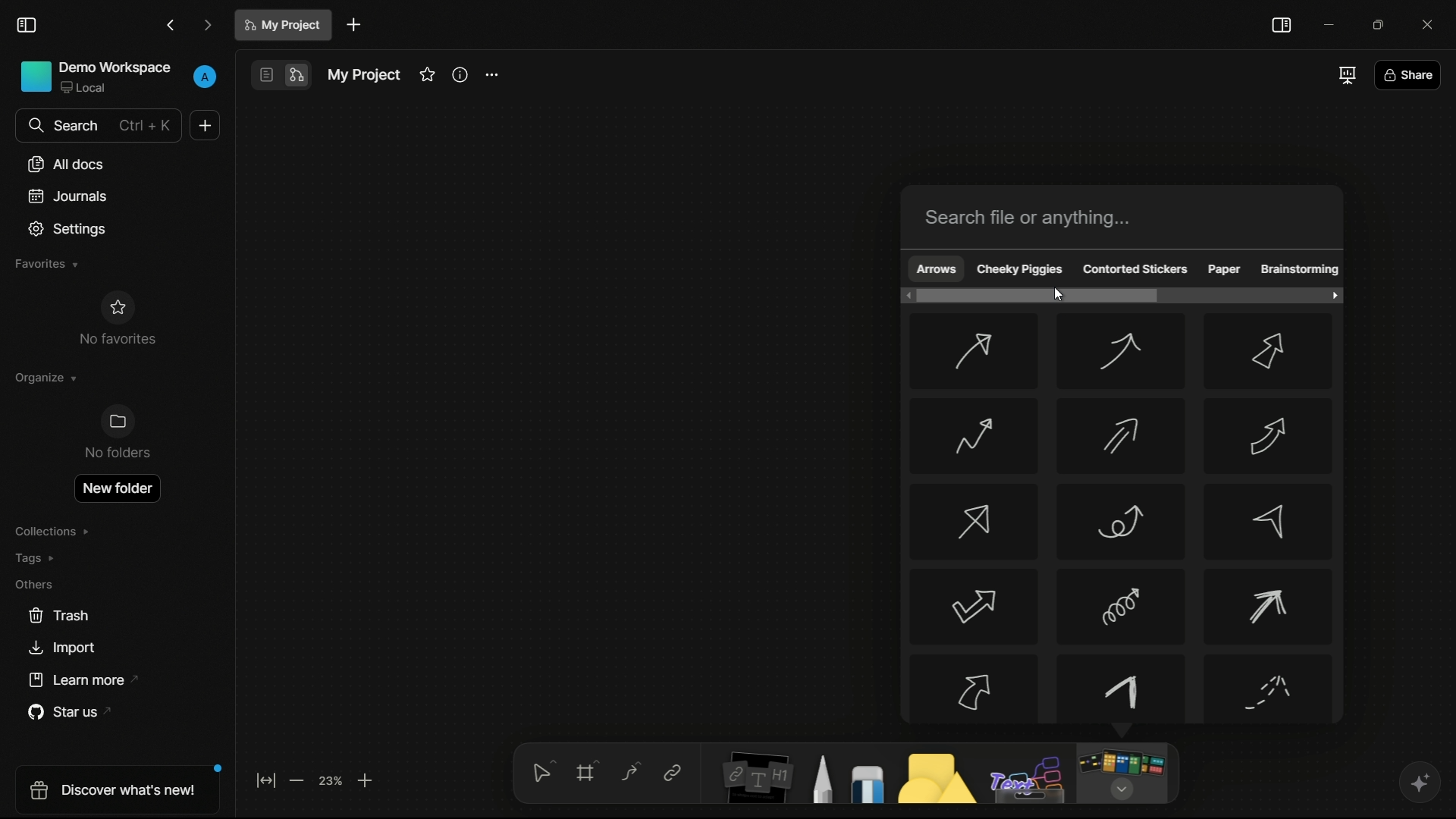  I want to click on scroll bar, so click(1039, 296).